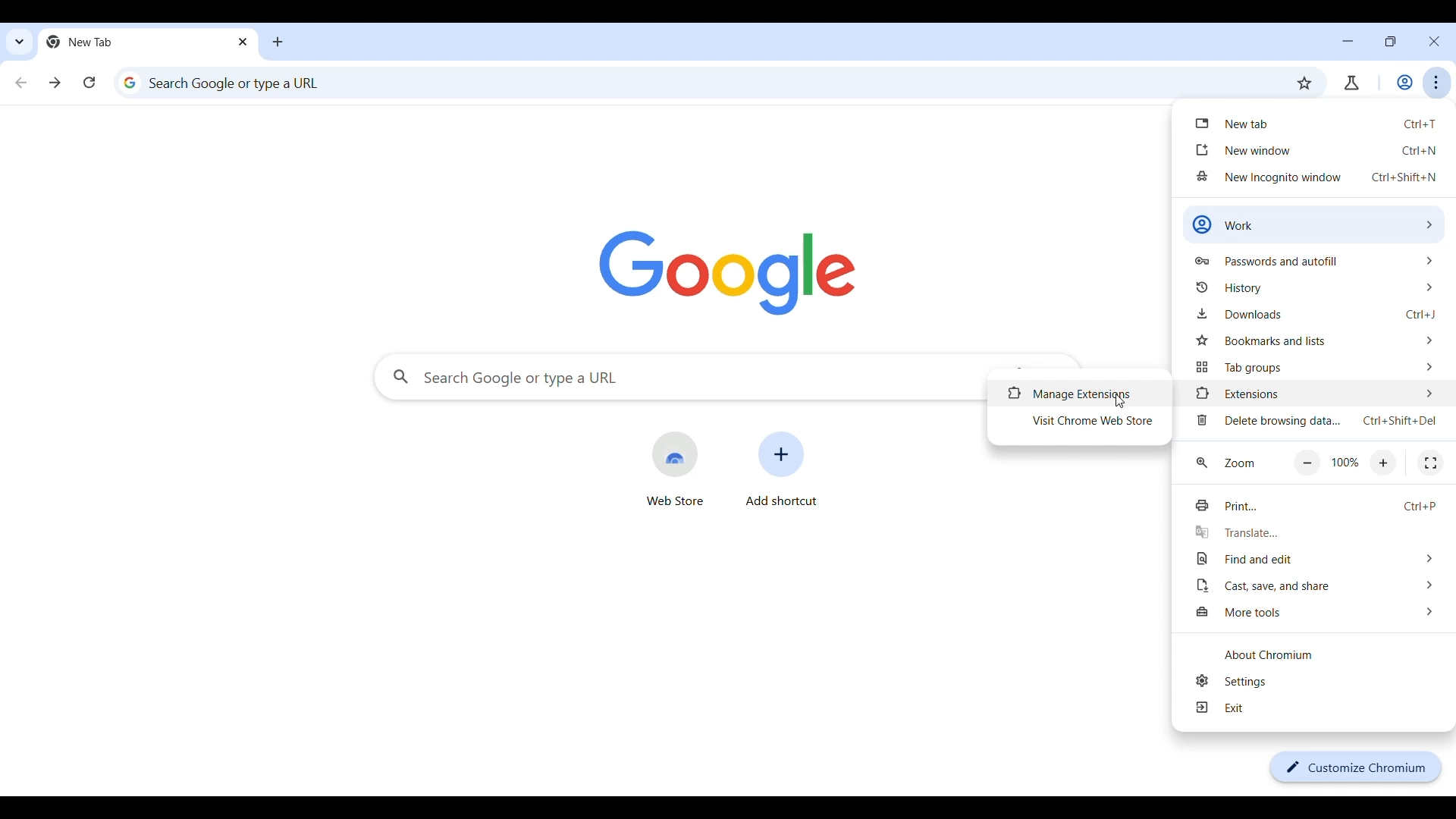 The image size is (1456, 819). Describe the element at coordinates (674, 469) in the screenshot. I see `Open Google webstore` at that location.